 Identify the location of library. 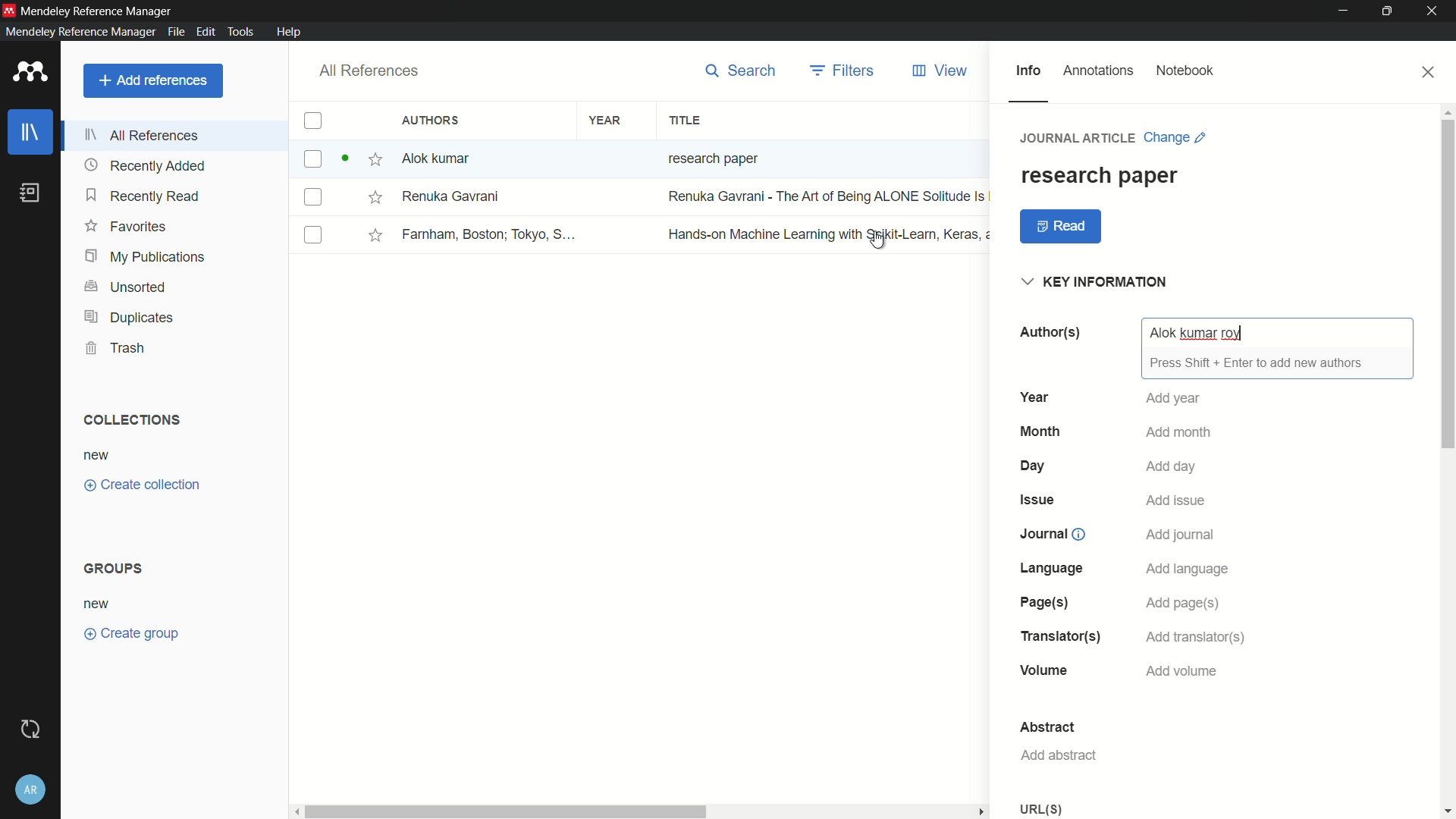
(31, 133).